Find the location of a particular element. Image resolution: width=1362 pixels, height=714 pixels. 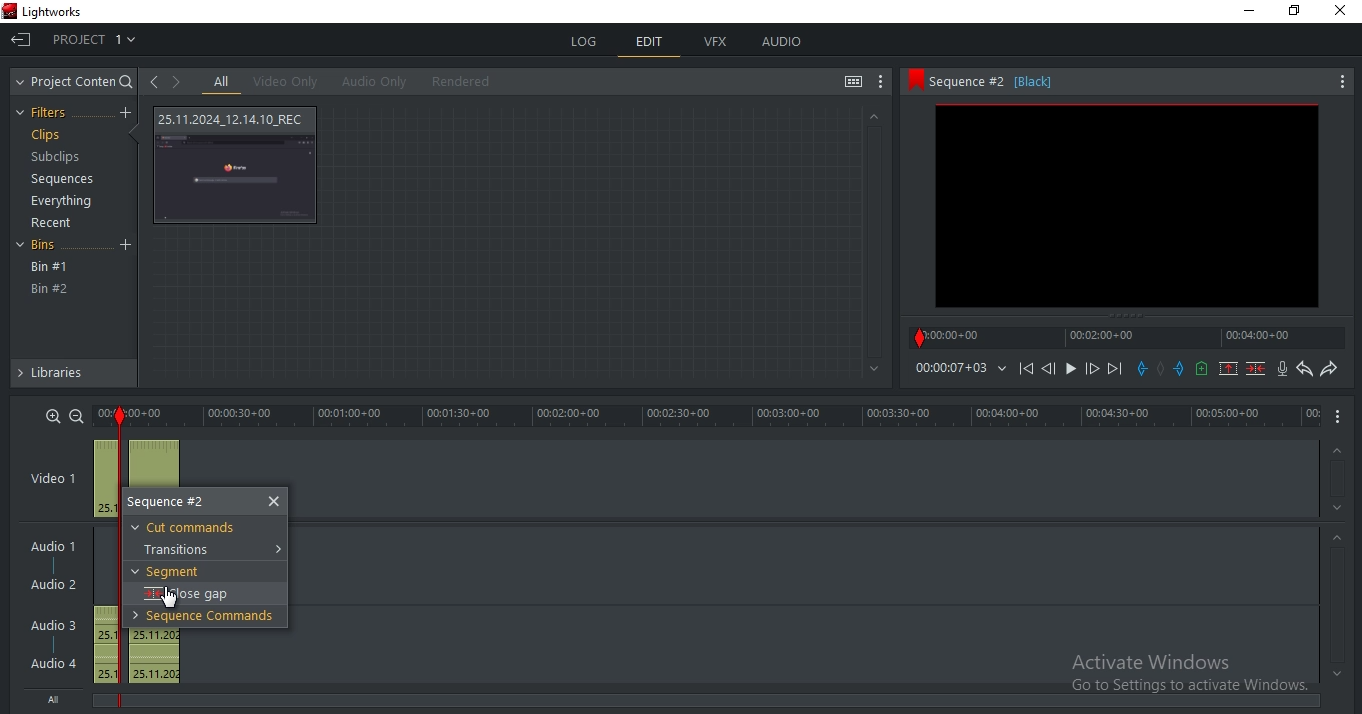

Up is located at coordinates (873, 116).